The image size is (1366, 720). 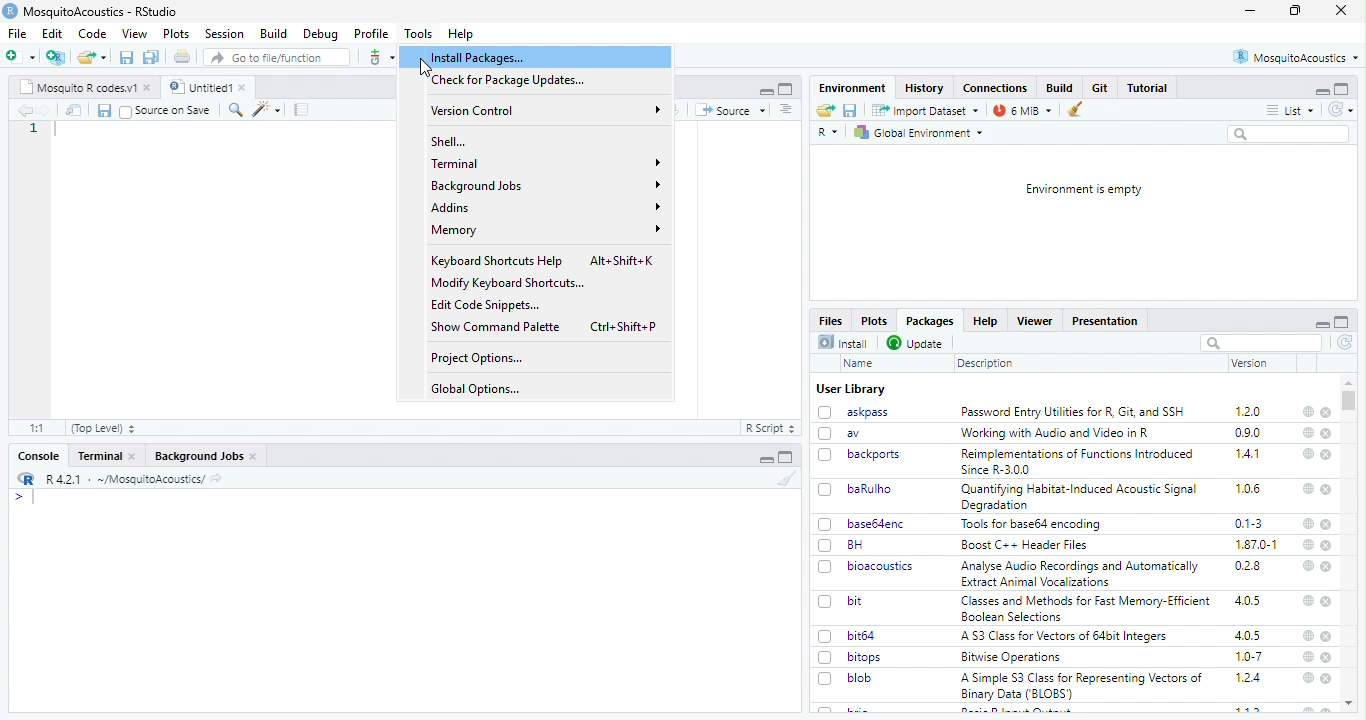 I want to click on find, so click(x=237, y=110).